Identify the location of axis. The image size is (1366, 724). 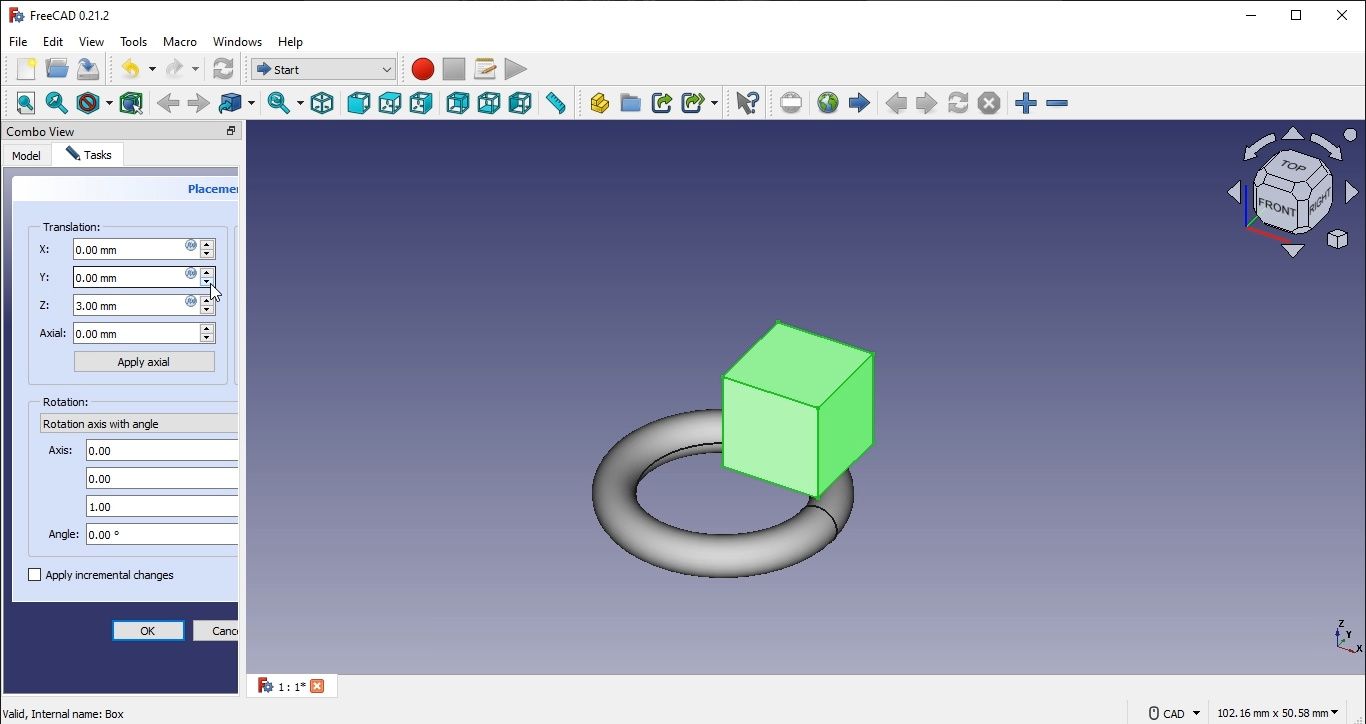
(141, 450).